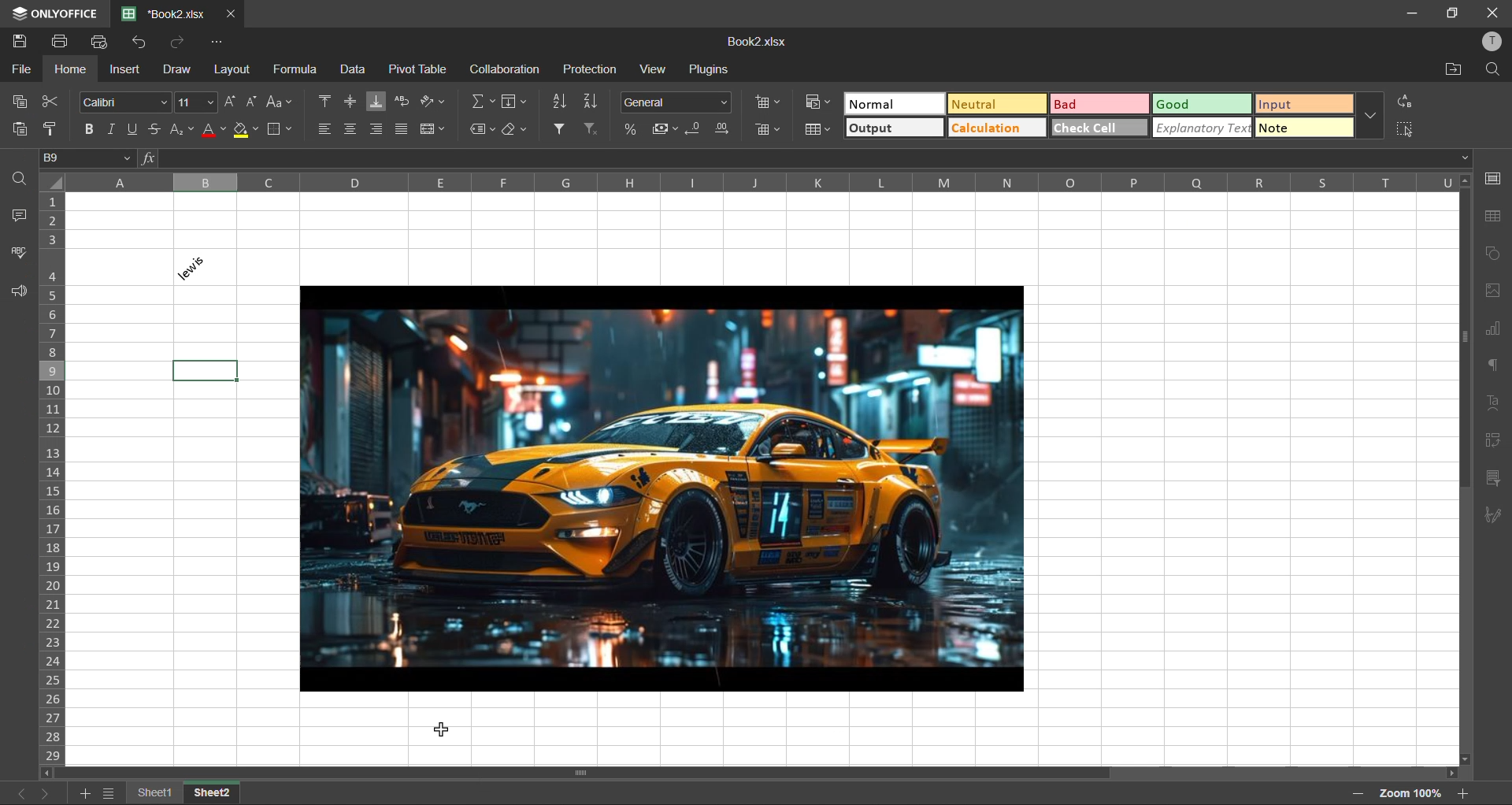 The width and height of the screenshot is (1512, 805). Describe the element at coordinates (770, 102) in the screenshot. I see `insert cells` at that location.